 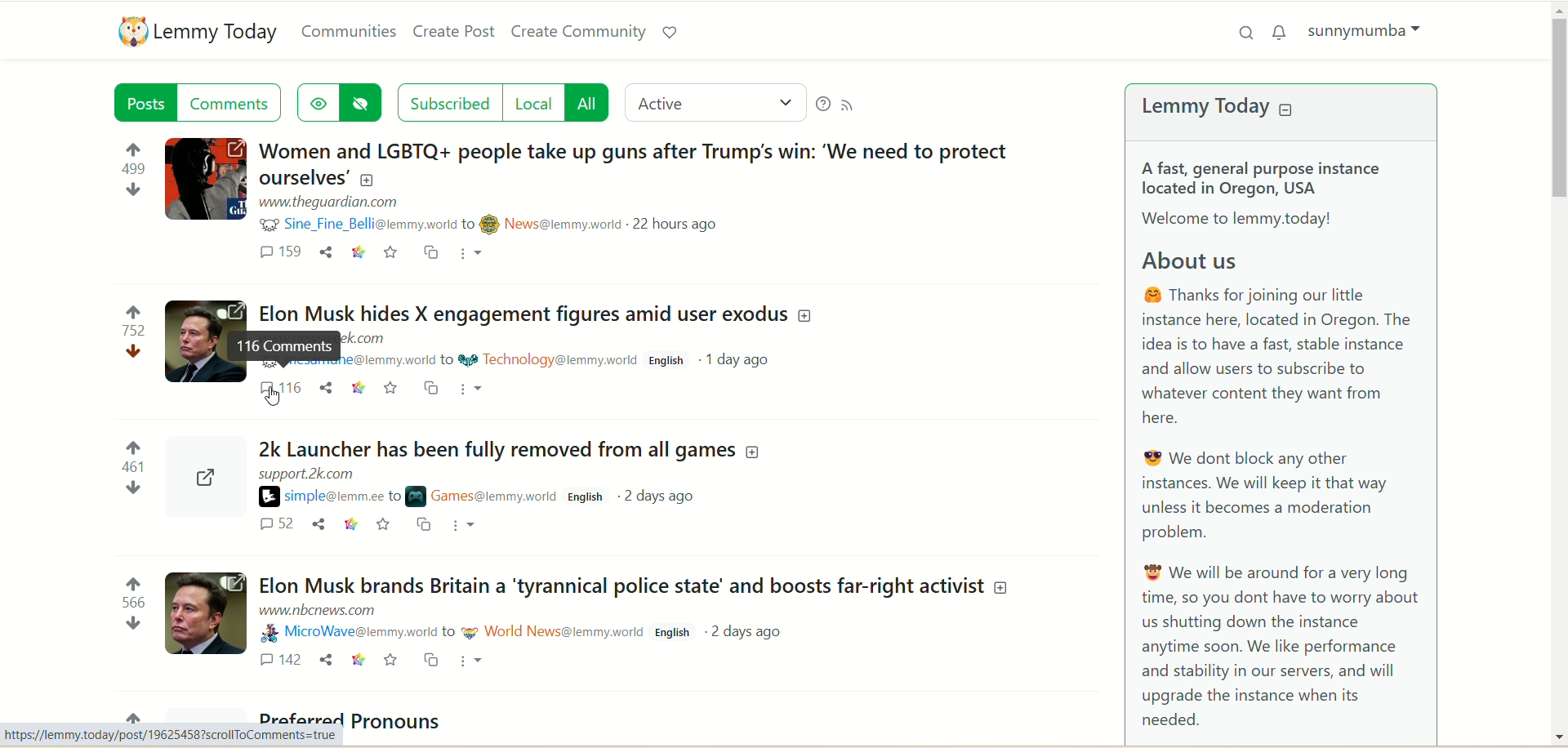 I want to click on 2 ourselves’, so click(x=301, y=178).